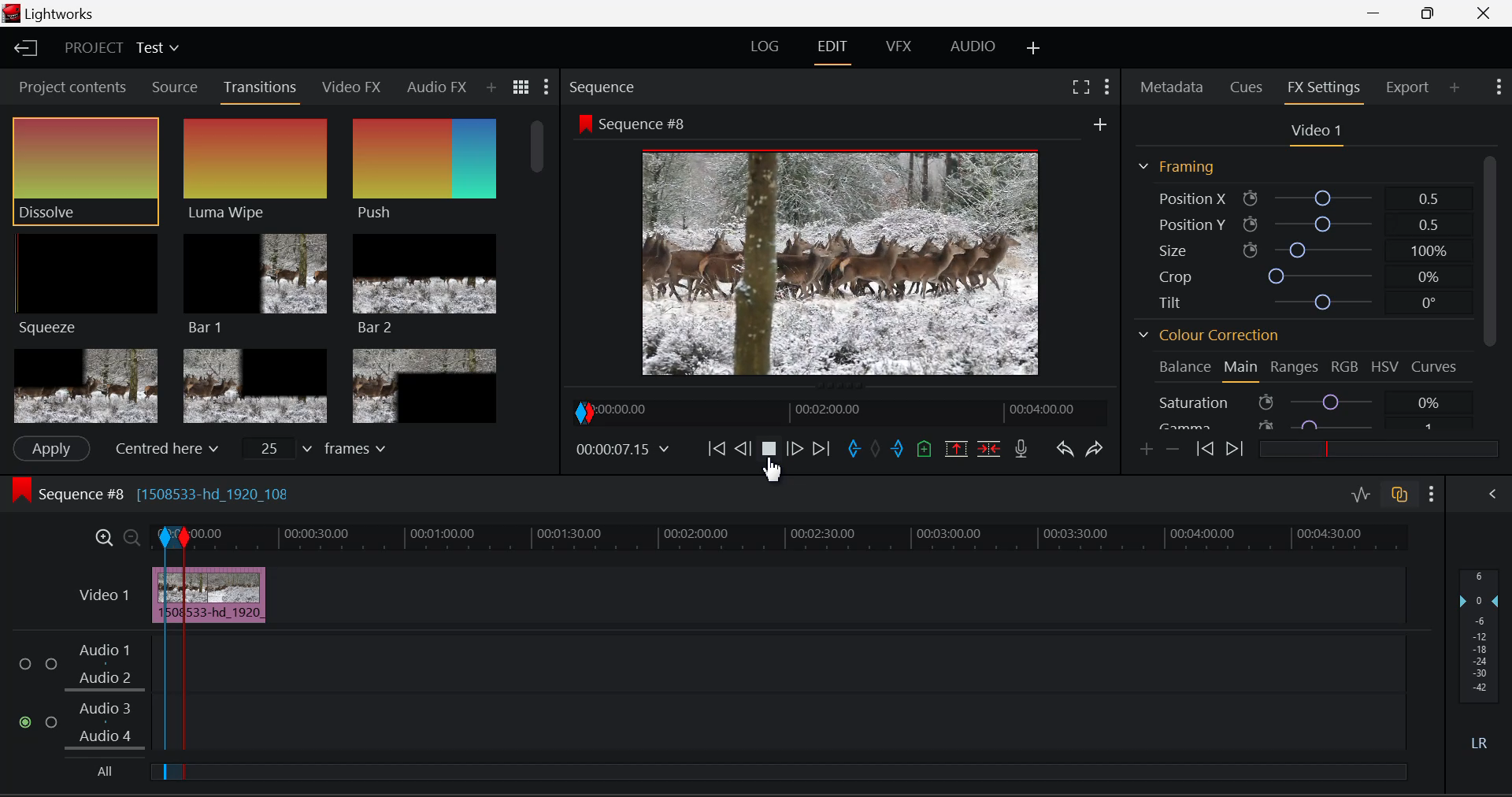 The image size is (1512, 797). I want to click on Mark In Point, so click(854, 451).